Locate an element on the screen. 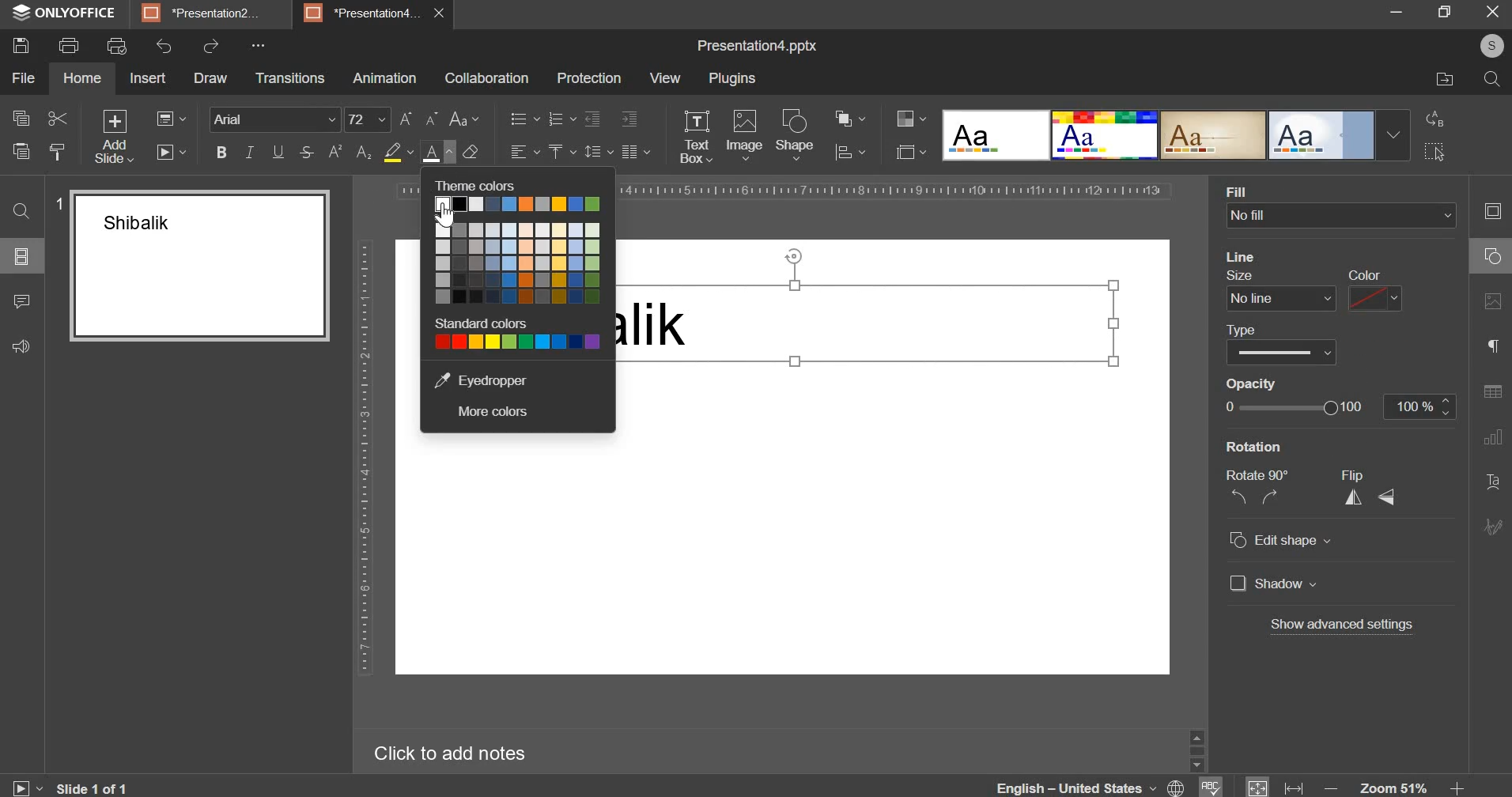 The height and width of the screenshot is (797, 1512). subscript & superscript is located at coordinates (350, 152).